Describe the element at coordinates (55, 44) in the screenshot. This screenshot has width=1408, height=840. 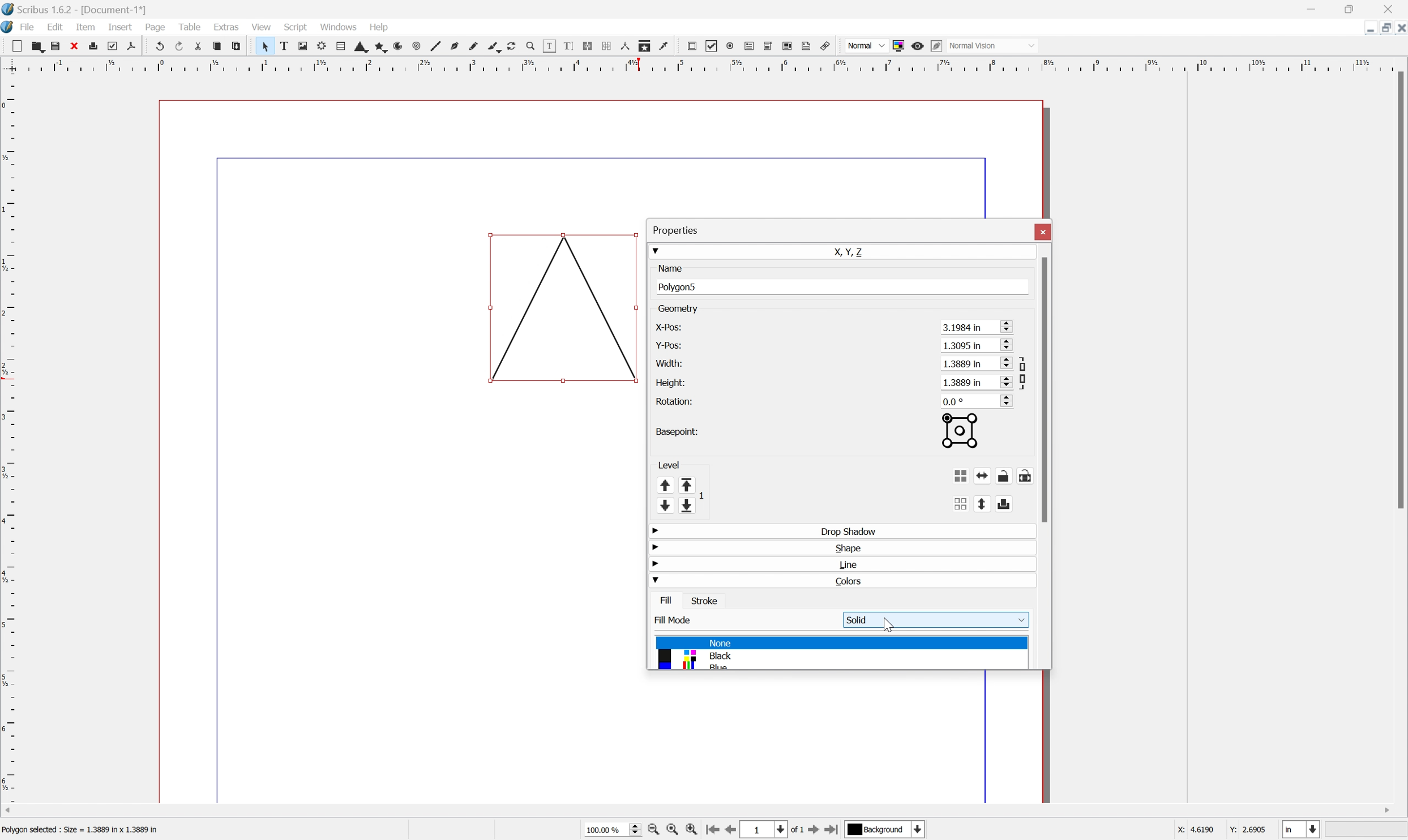
I see `Save` at that location.